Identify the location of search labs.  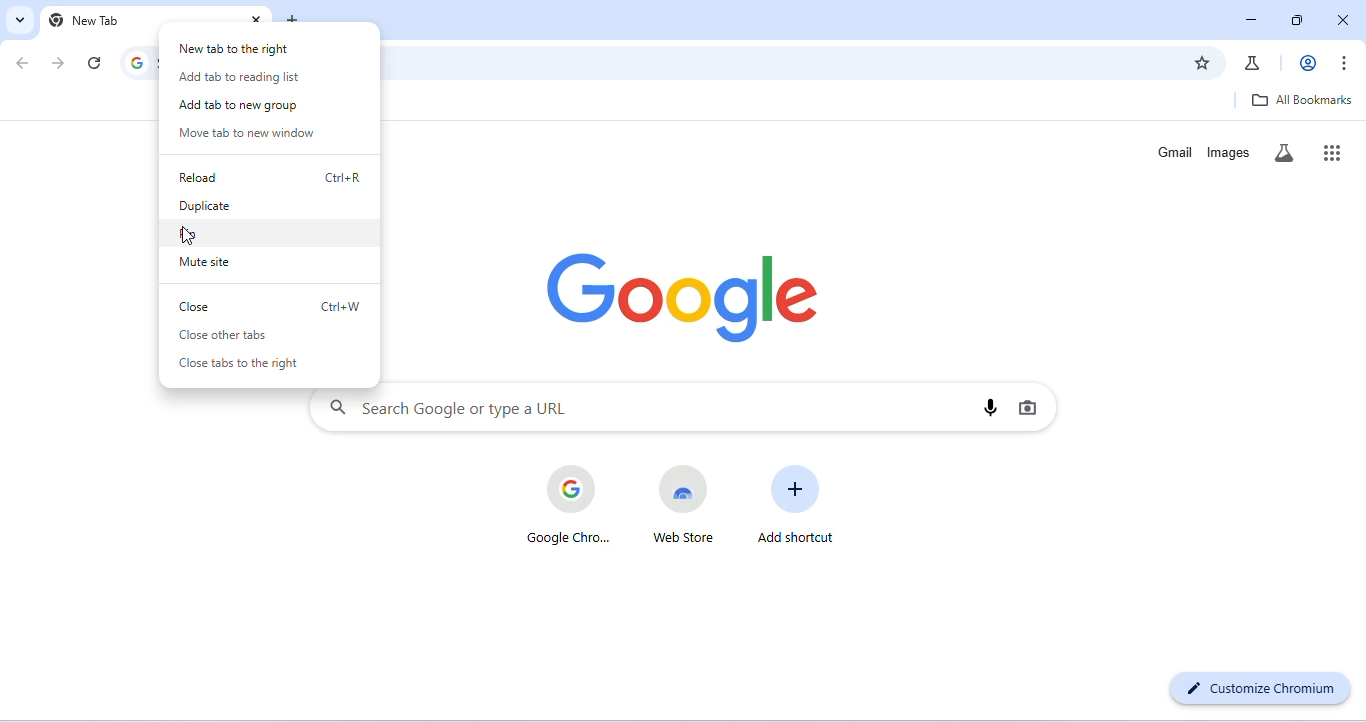
(1286, 152).